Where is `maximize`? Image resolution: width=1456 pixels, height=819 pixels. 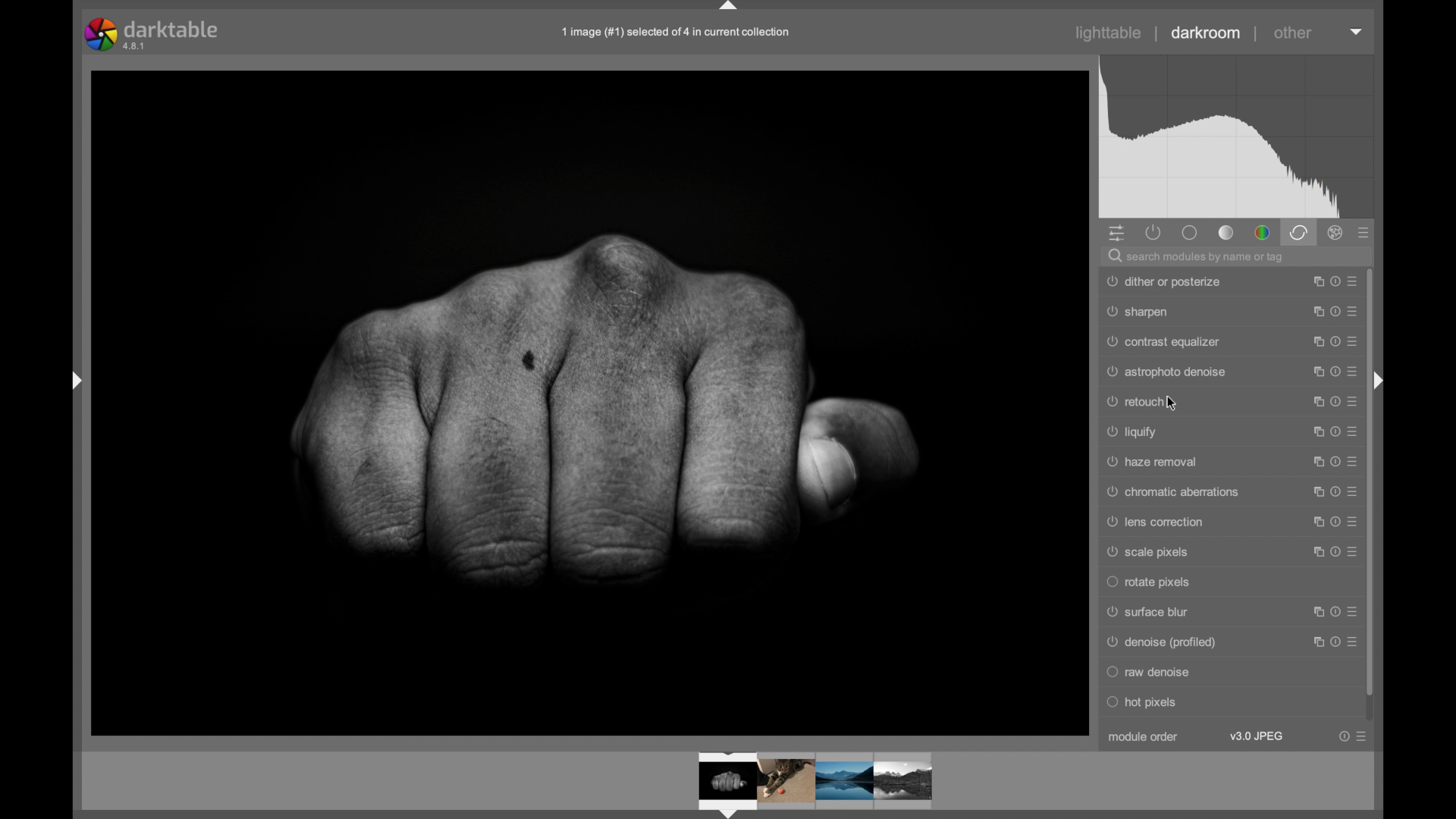
maximize is located at coordinates (1313, 641).